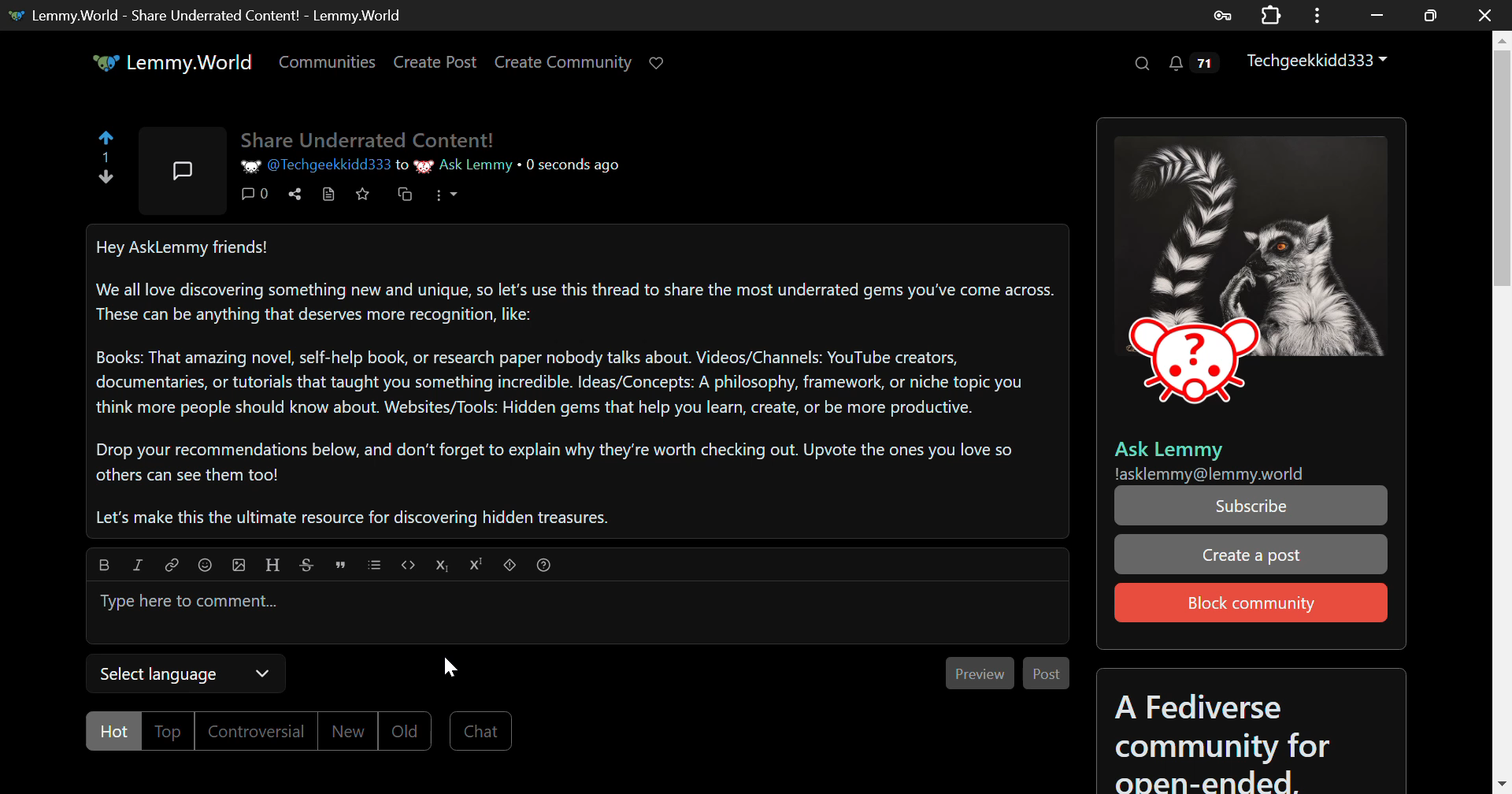  What do you see at coordinates (577, 614) in the screenshot?
I see `Comment Drafting Workspace` at bounding box center [577, 614].